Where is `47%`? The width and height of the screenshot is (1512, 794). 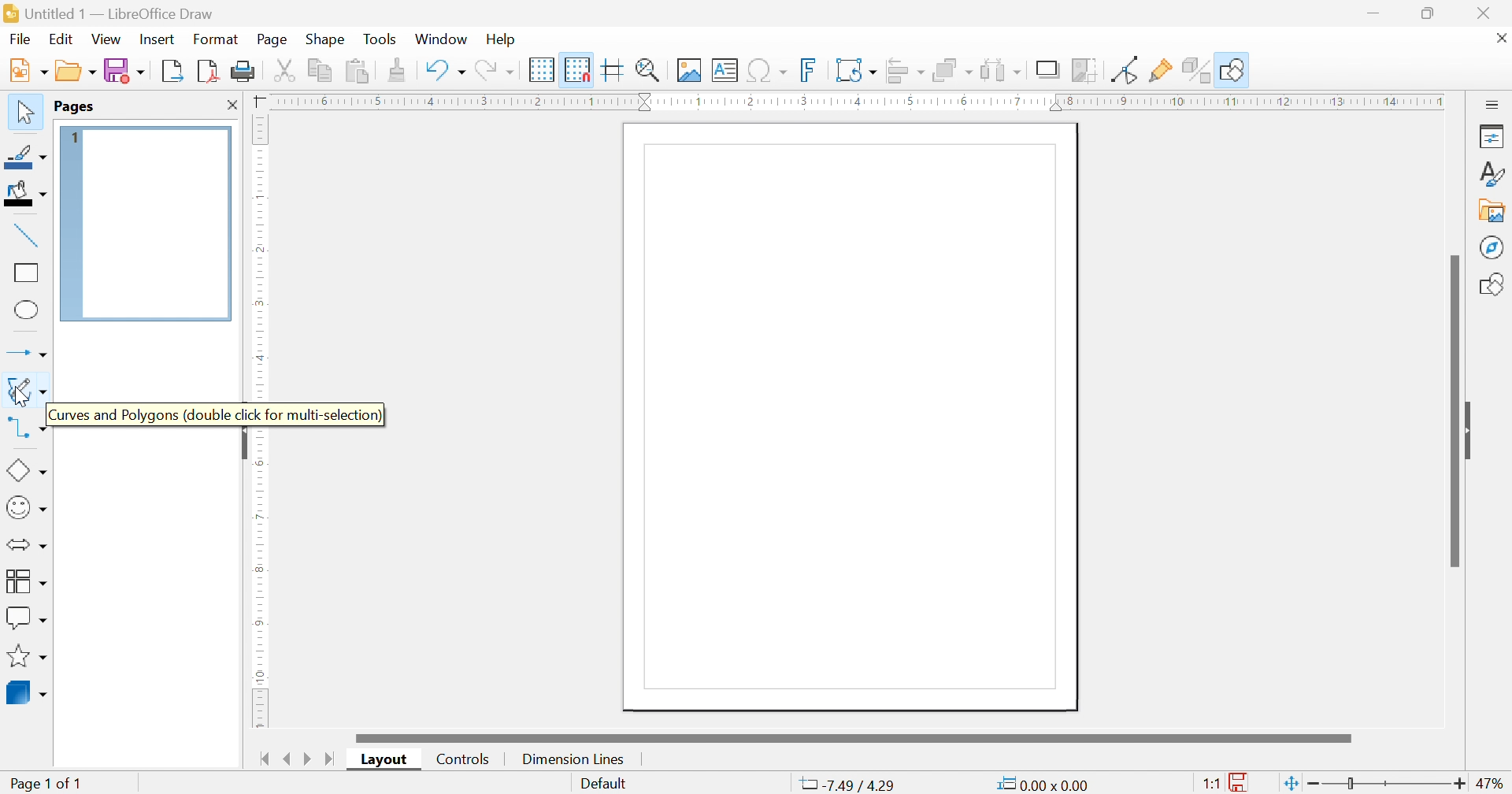
47% is located at coordinates (1492, 785).